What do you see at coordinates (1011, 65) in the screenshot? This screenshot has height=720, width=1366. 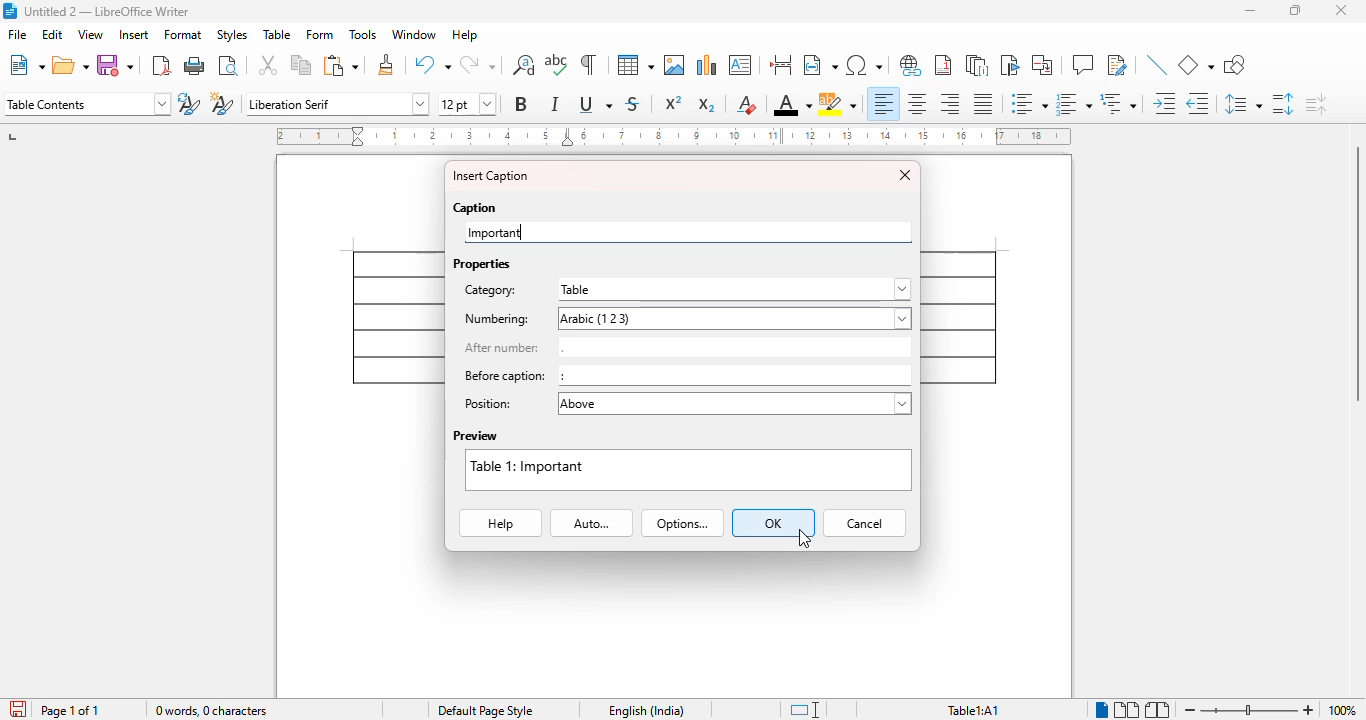 I see `insert bookmark` at bounding box center [1011, 65].